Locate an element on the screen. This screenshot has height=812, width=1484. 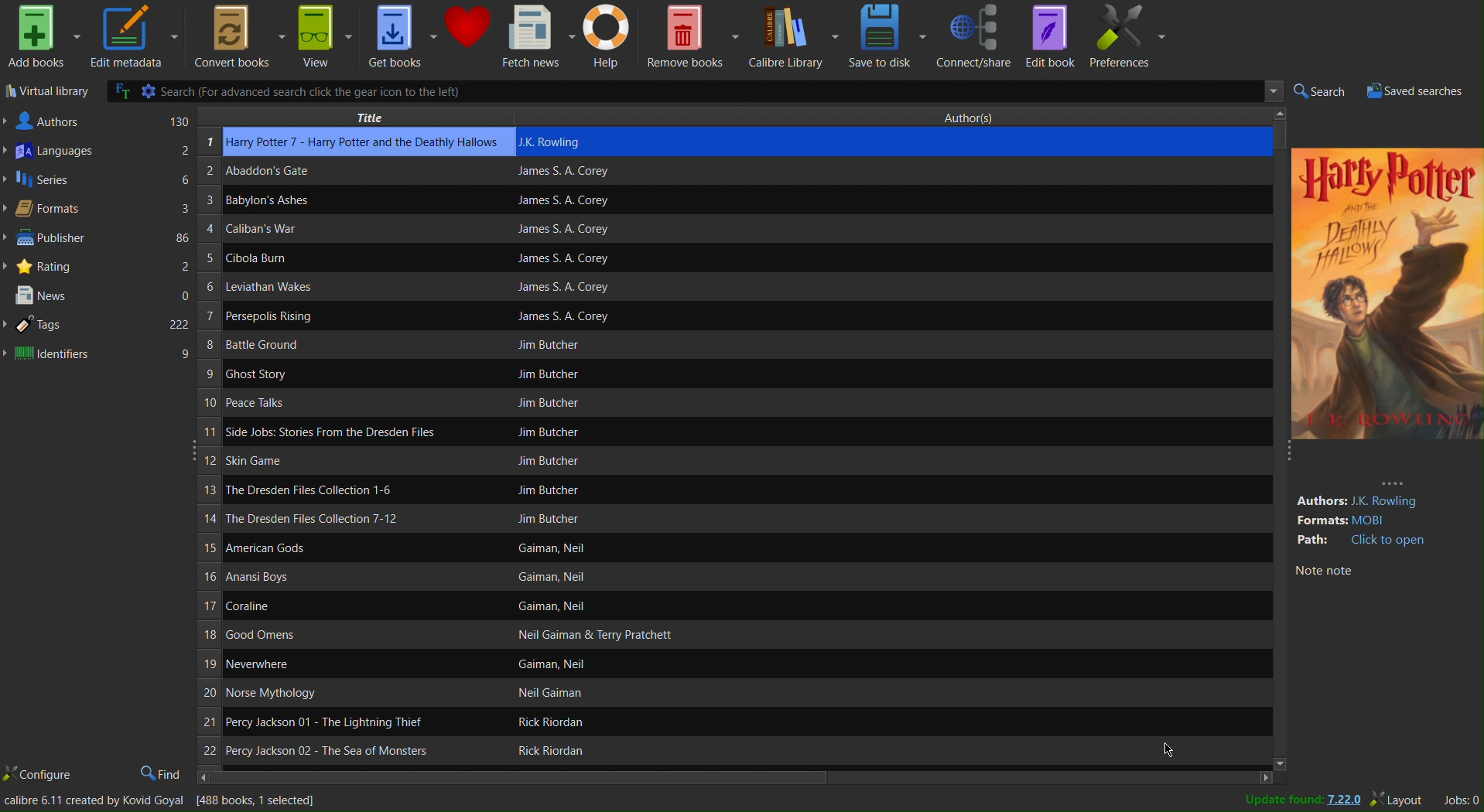
Author’s name is located at coordinates (620, 664).